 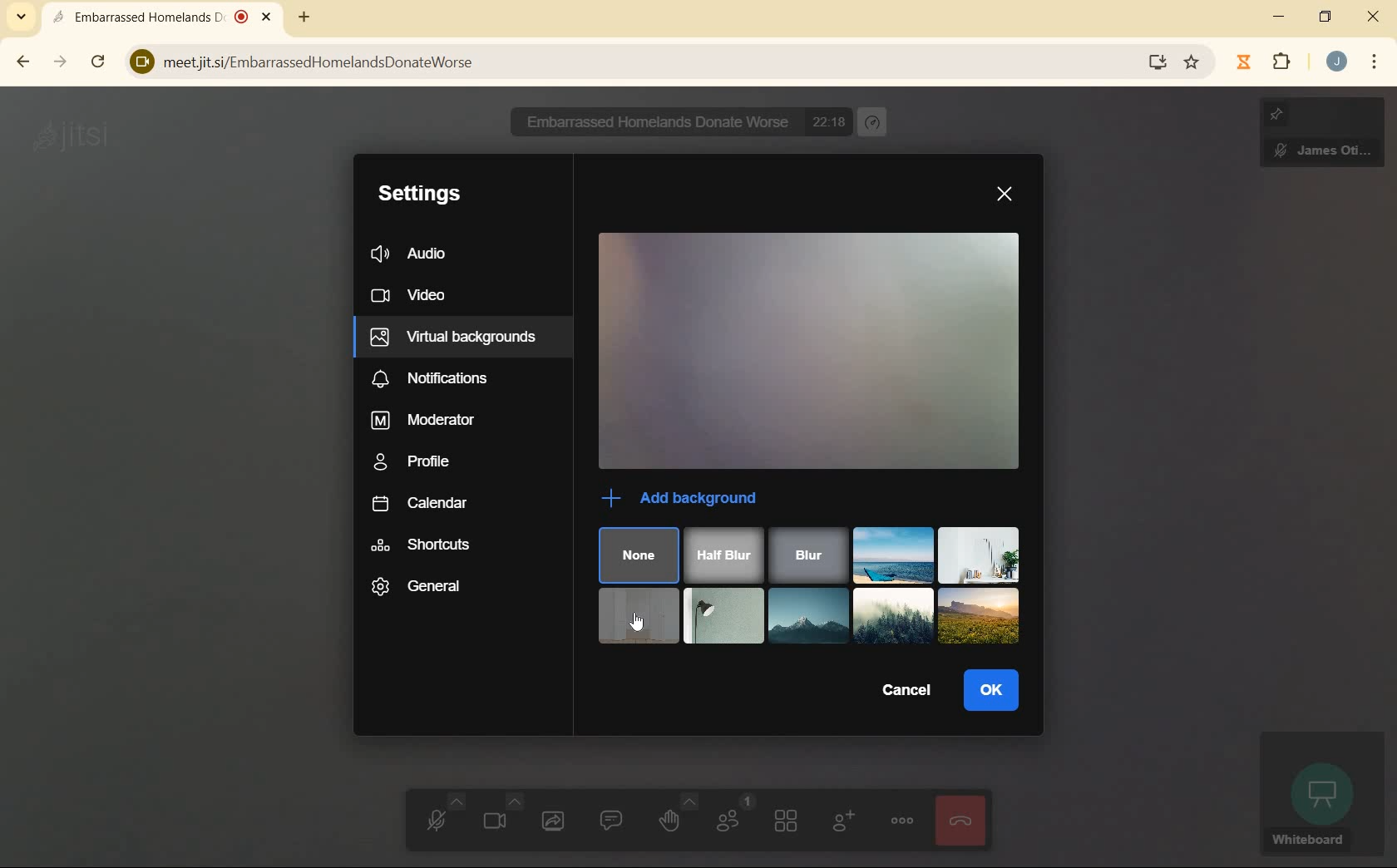 I want to click on install, so click(x=1153, y=64).